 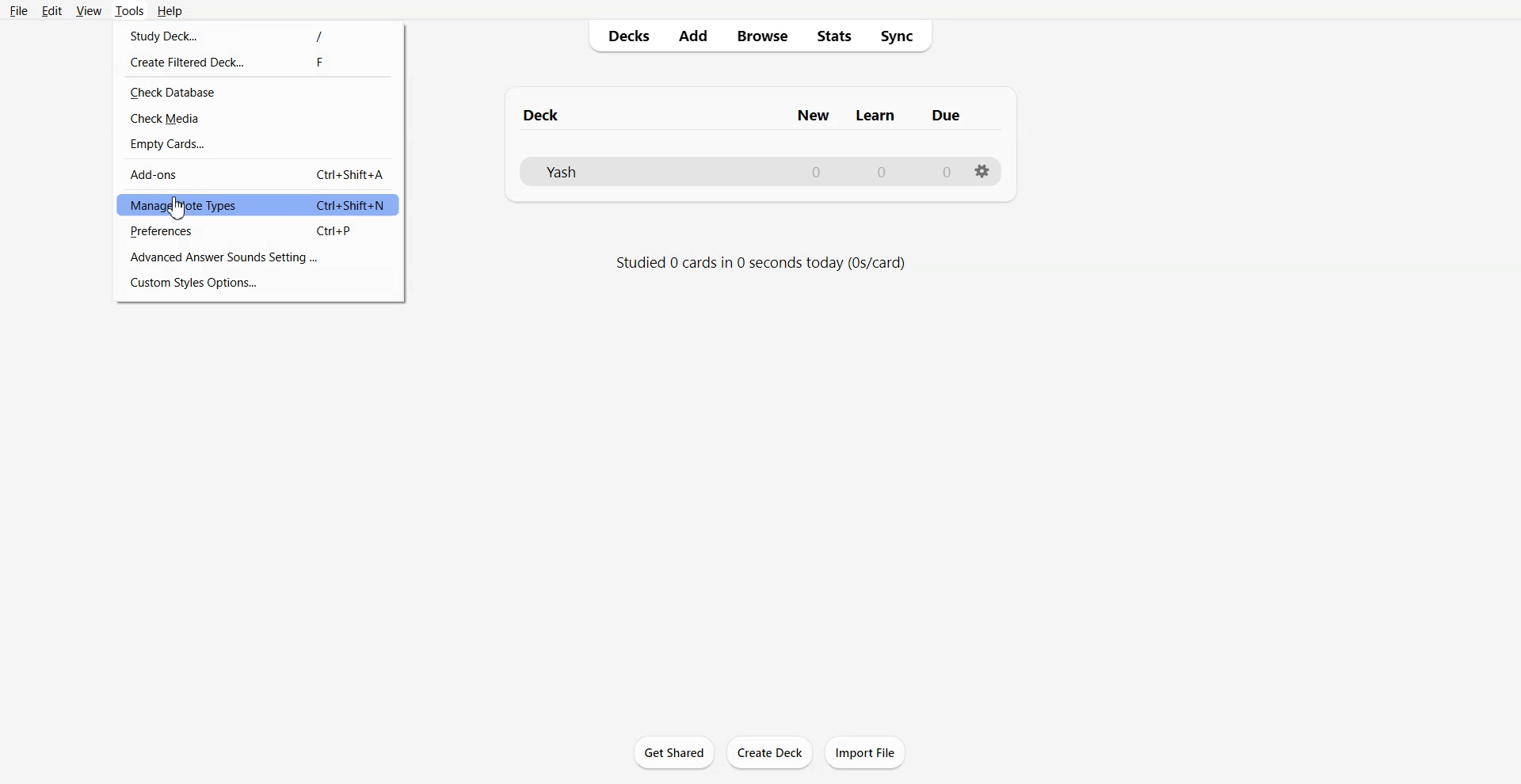 What do you see at coordinates (947, 172) in the screenshot?
I see `Number of due cards` at bounding box center [947, 172].